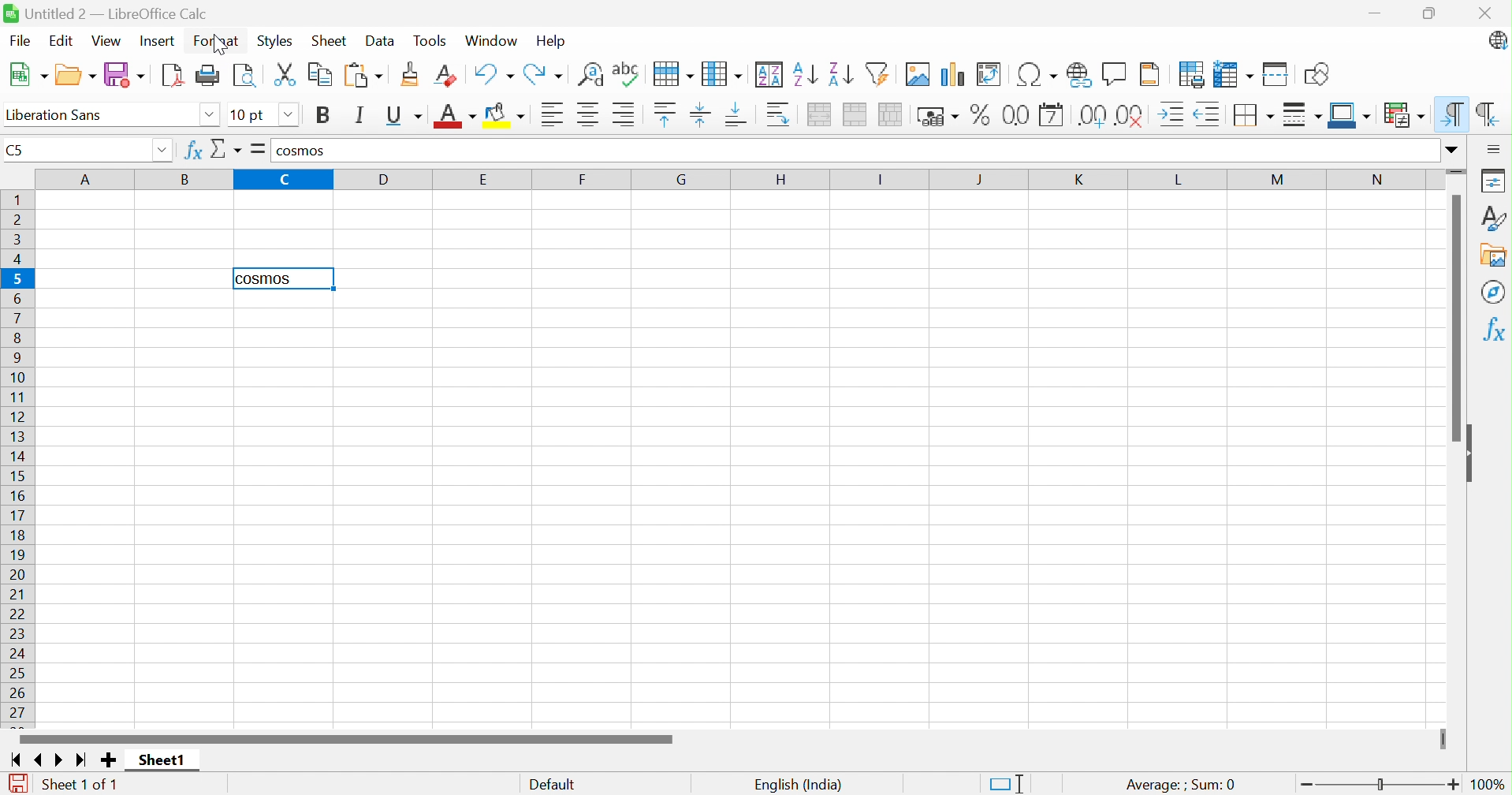 The width and height of the screenshot is (1512, 795). Describe the element at coordinates (162, 762) in the screenshot. I see `Sheet1` at that location.